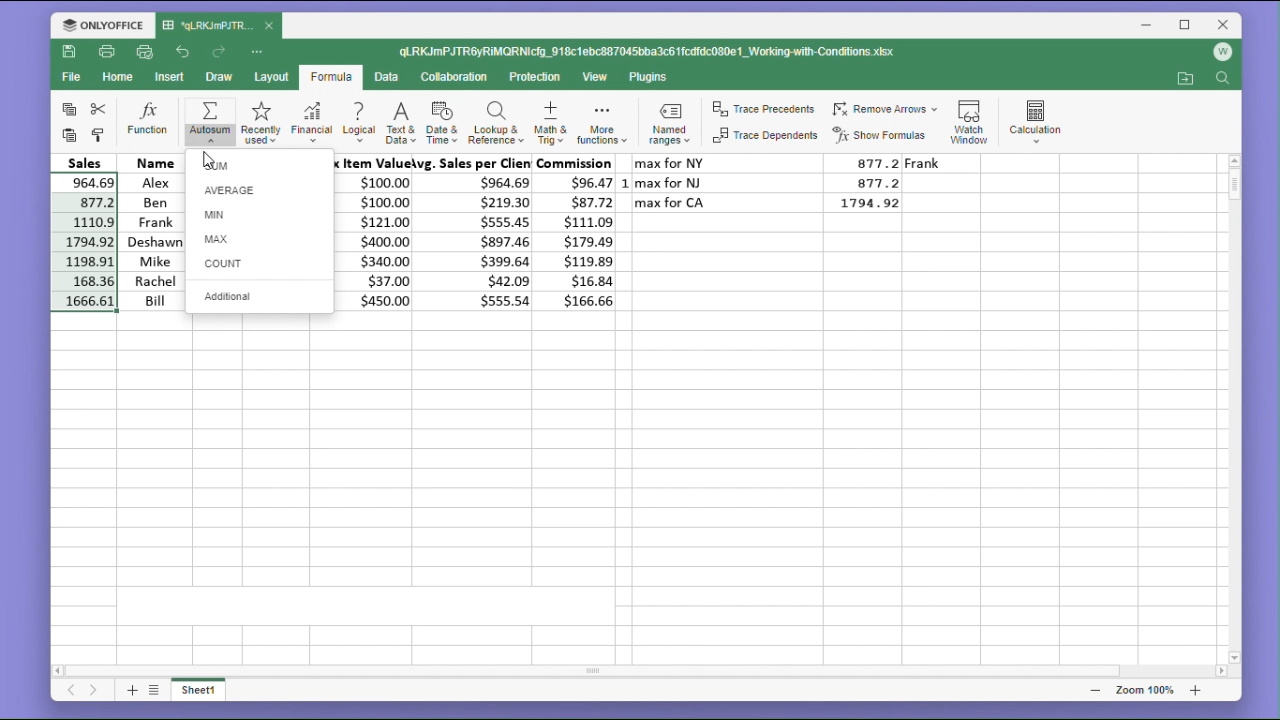 The image size is (1280, 720). What do you see at coordinates (258, 165) in the screenshot?
I see `sum` at bounding box center [258, 165].